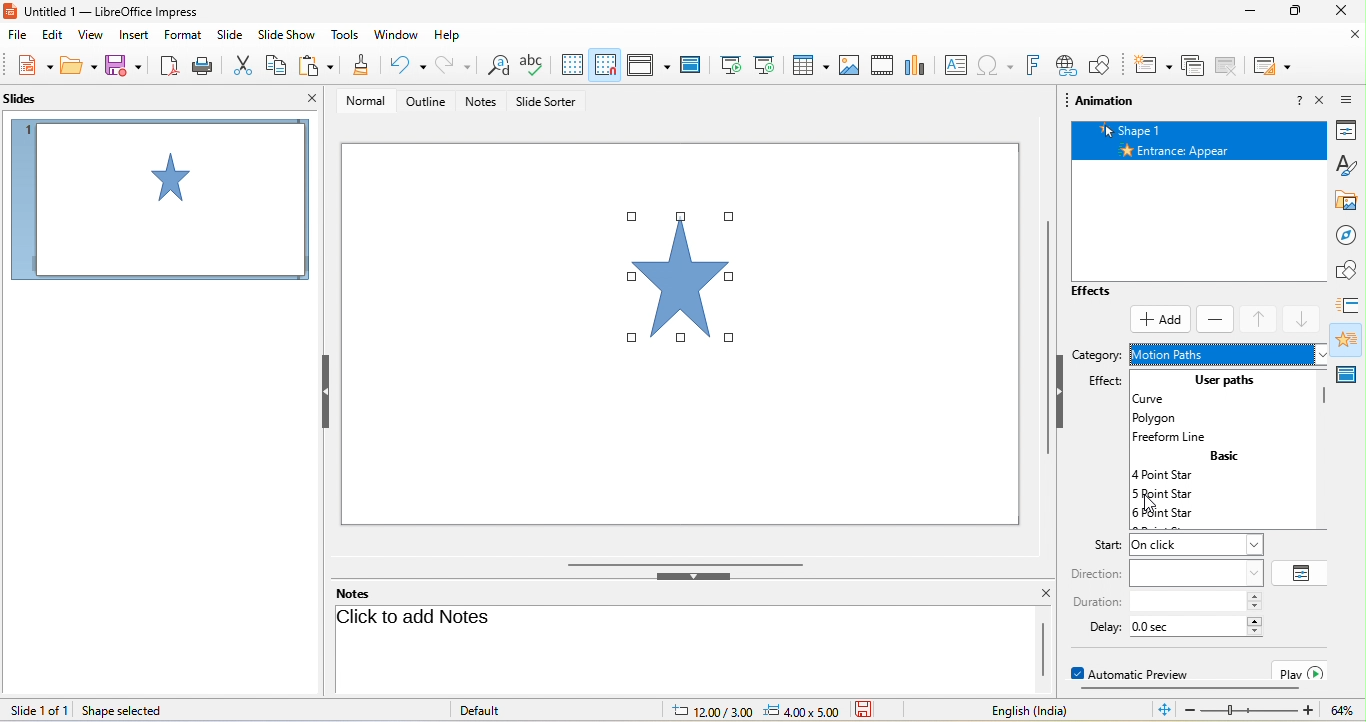  Describe the element at coordinates (1105, 103) in the screenshot. I see `animation` at that location.